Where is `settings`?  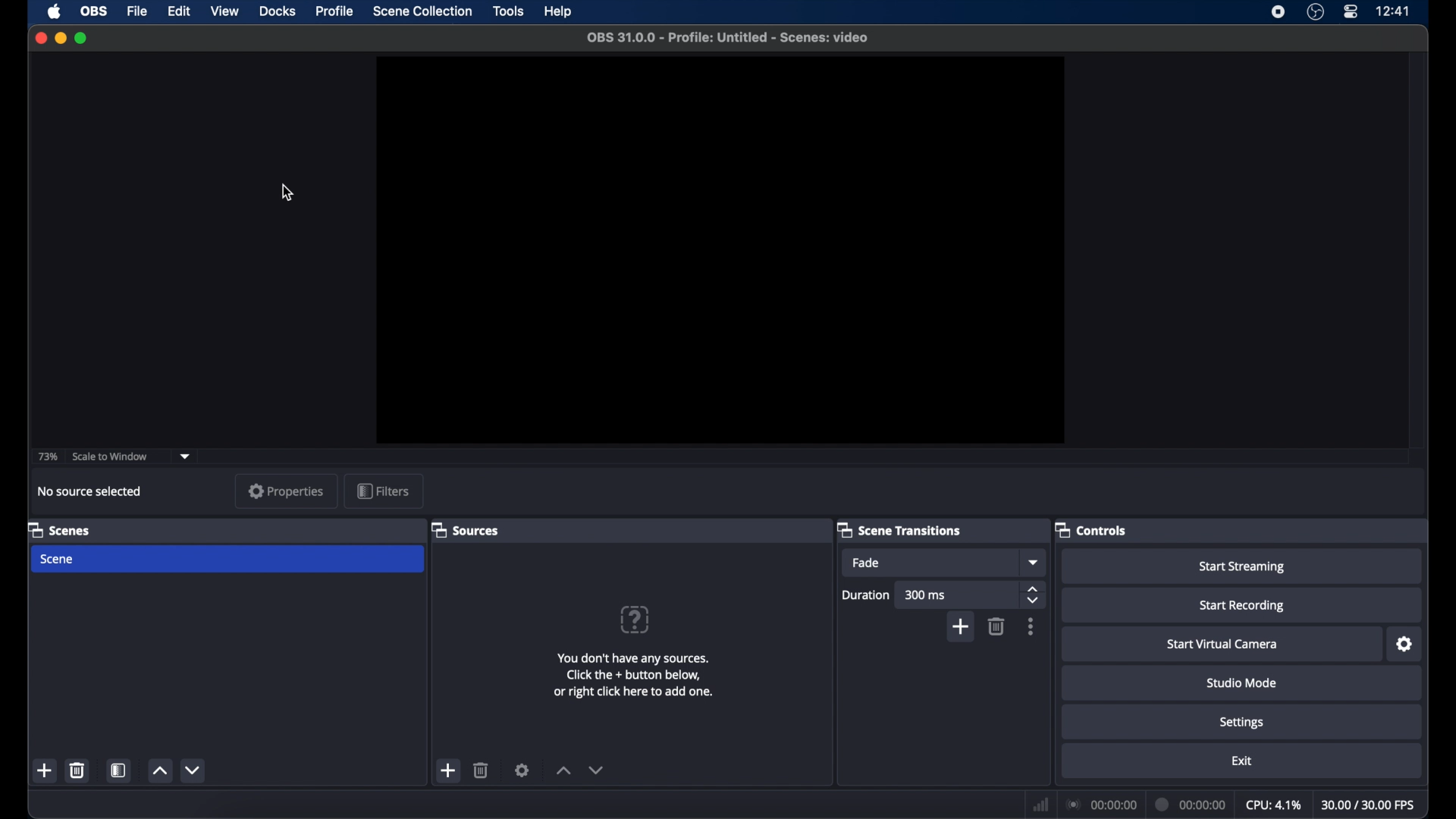 settings is located at coordinates (1239, 720).